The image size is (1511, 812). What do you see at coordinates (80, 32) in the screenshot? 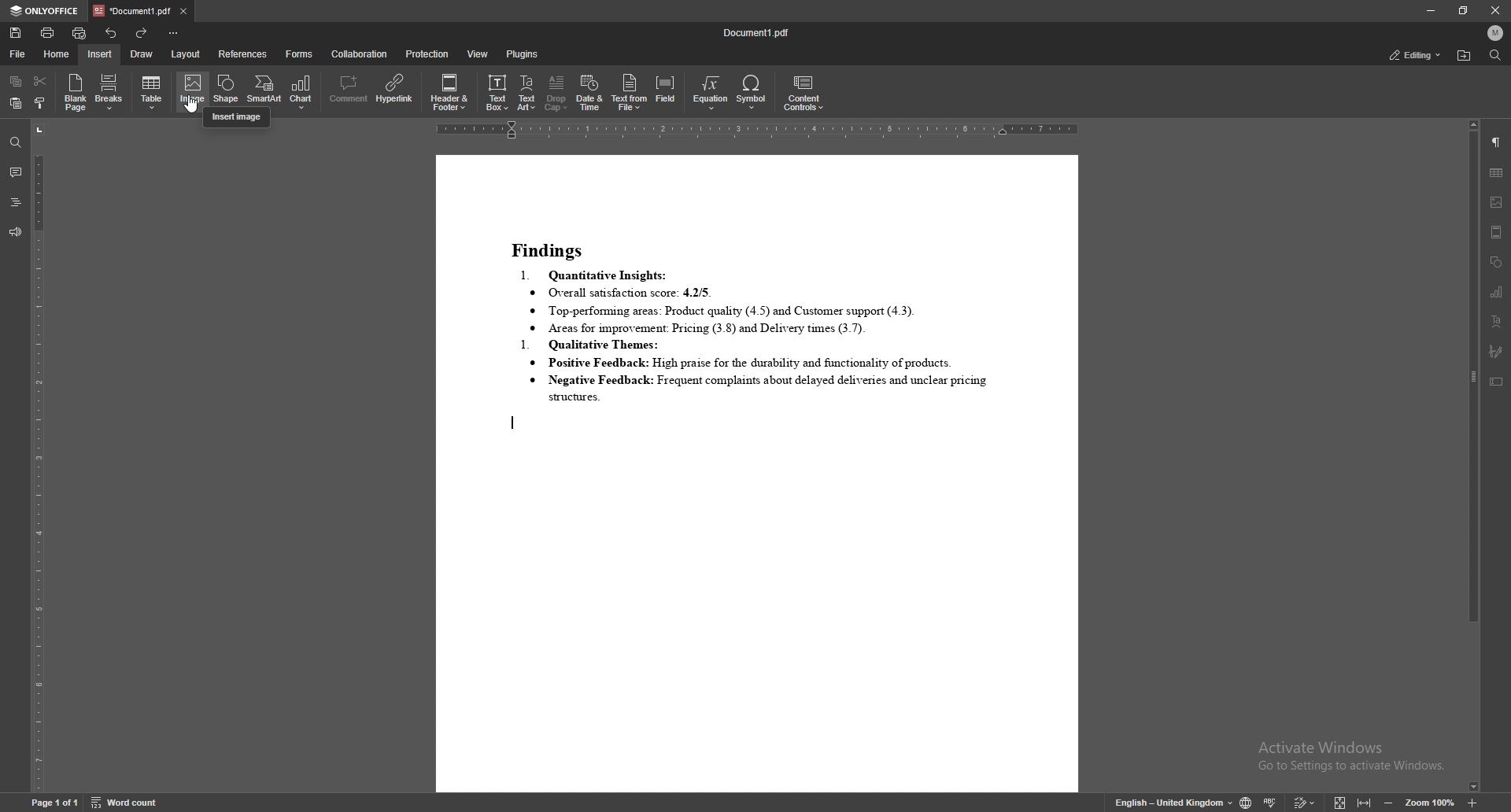
I see `quick print` at bounding box center [80, 32].